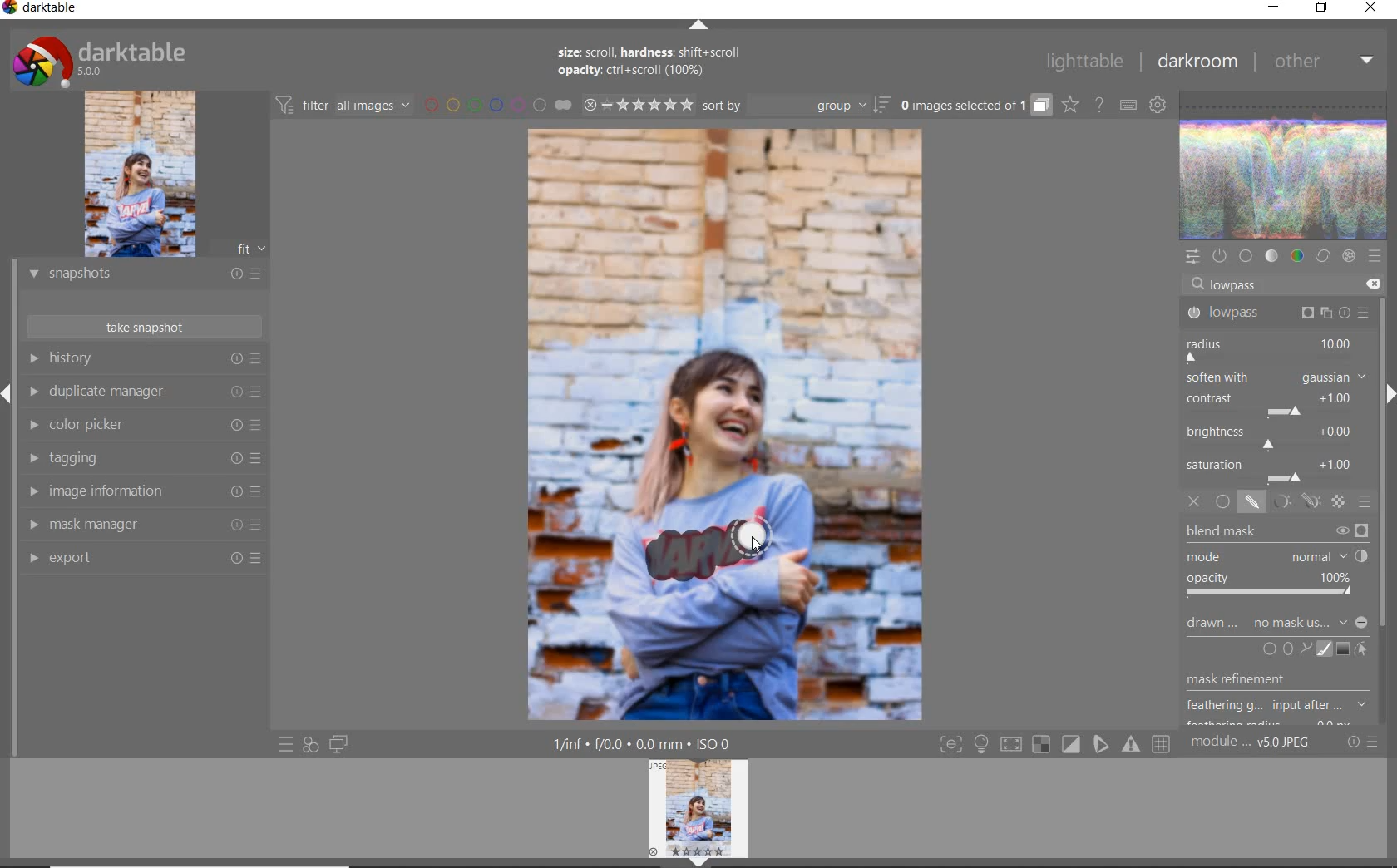 Image resolution: width=1397 pixels, height=868 pixels. I want to click on history, so click(150, 359).